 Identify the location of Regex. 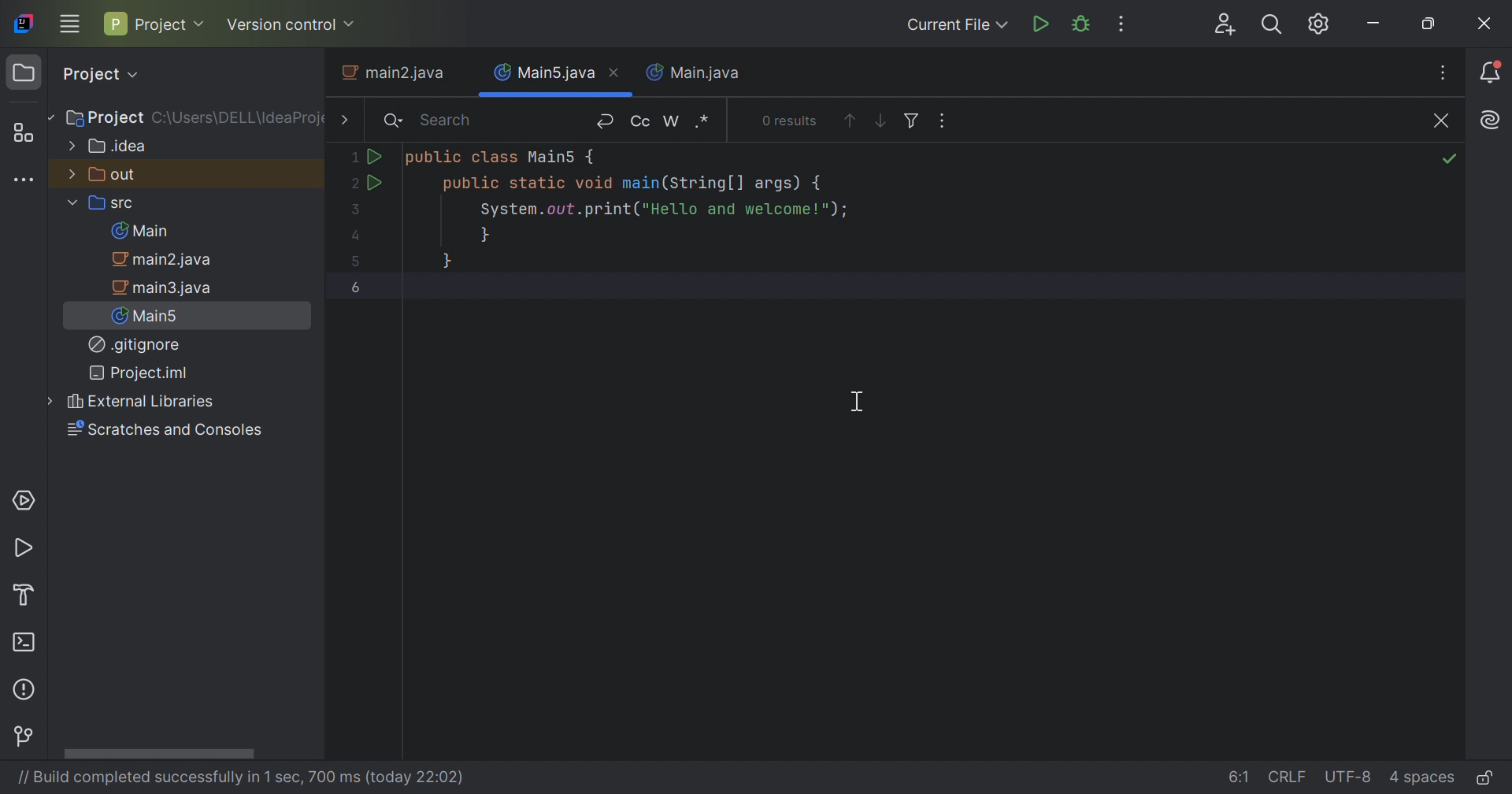
(705, 119).